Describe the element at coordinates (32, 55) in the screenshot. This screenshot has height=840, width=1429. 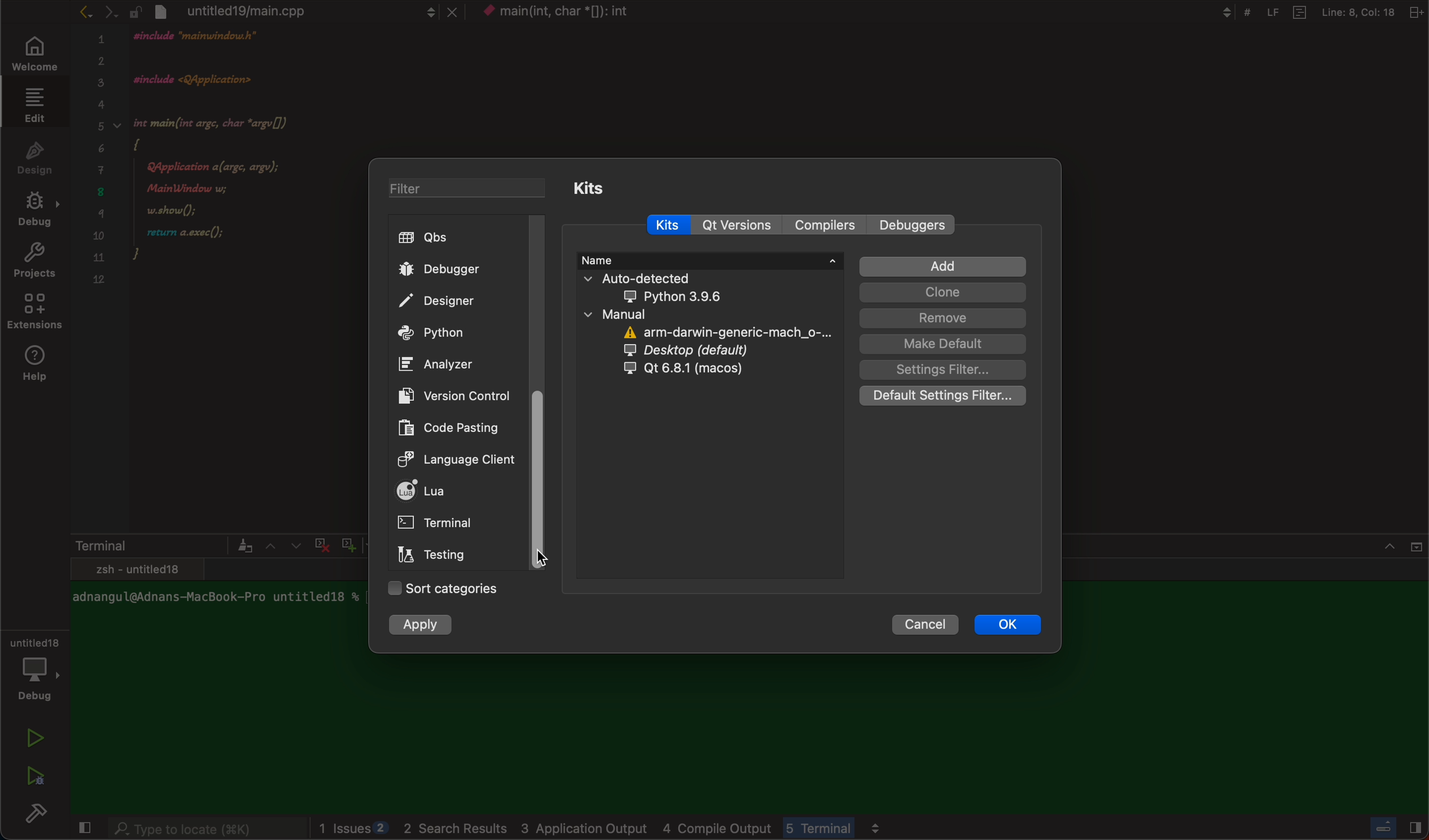
I see `welcome` at that location.